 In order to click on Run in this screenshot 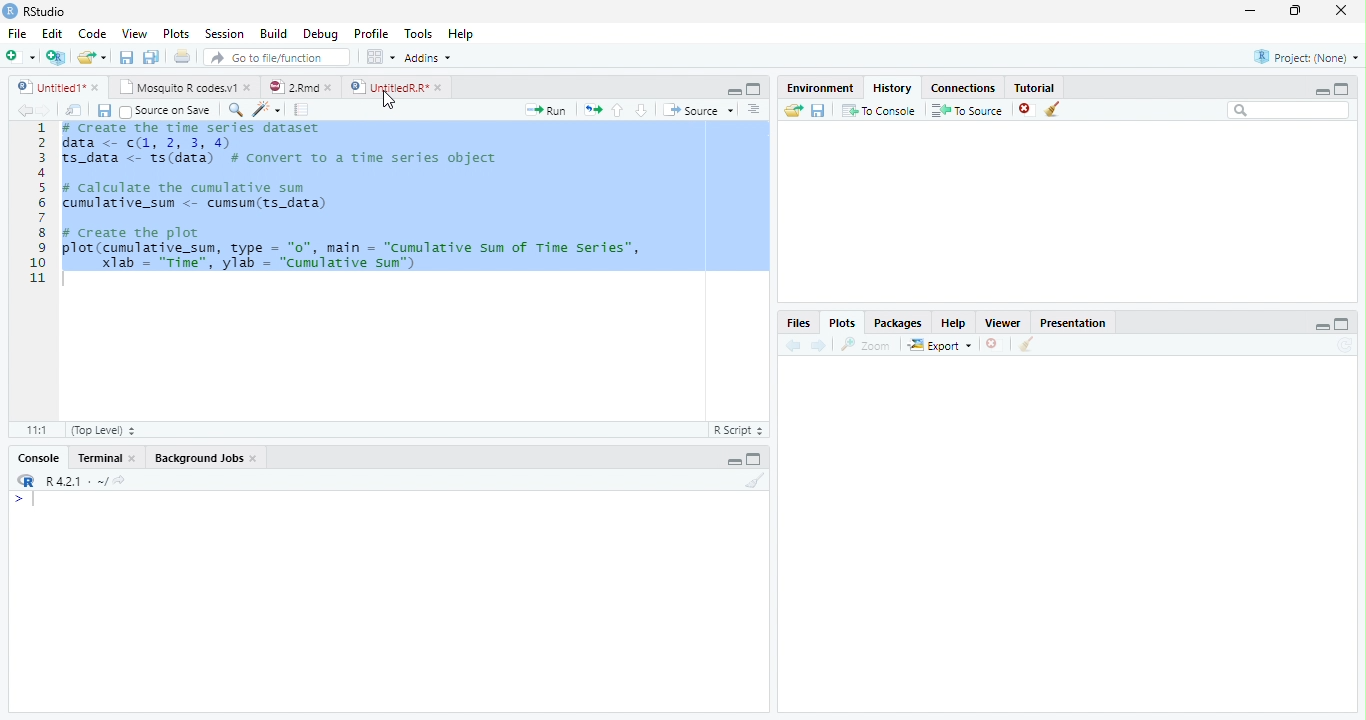, I will do `click(543, 111)`.